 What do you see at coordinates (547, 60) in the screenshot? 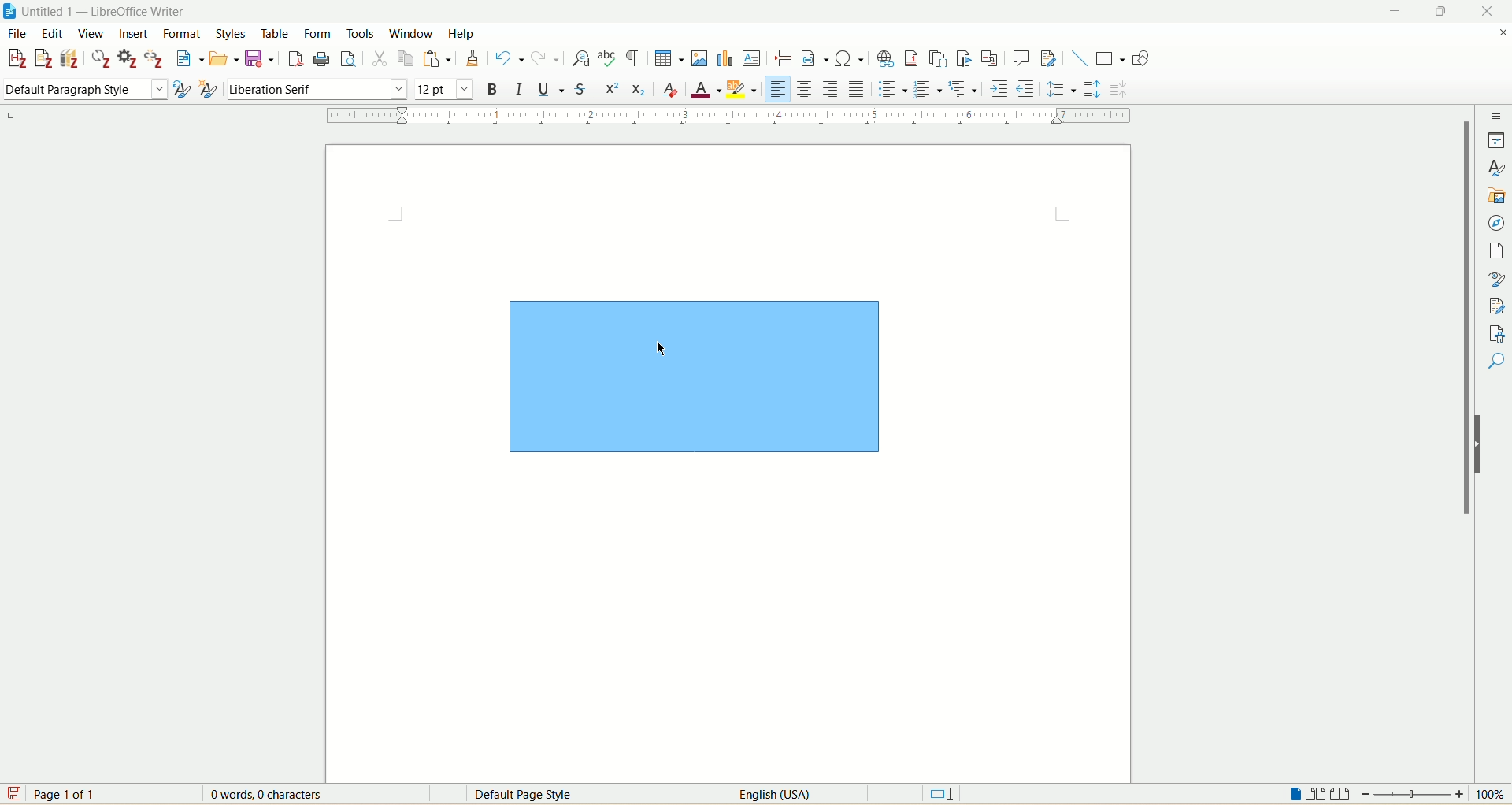
I see `redo` at bounding box center [547, 60].